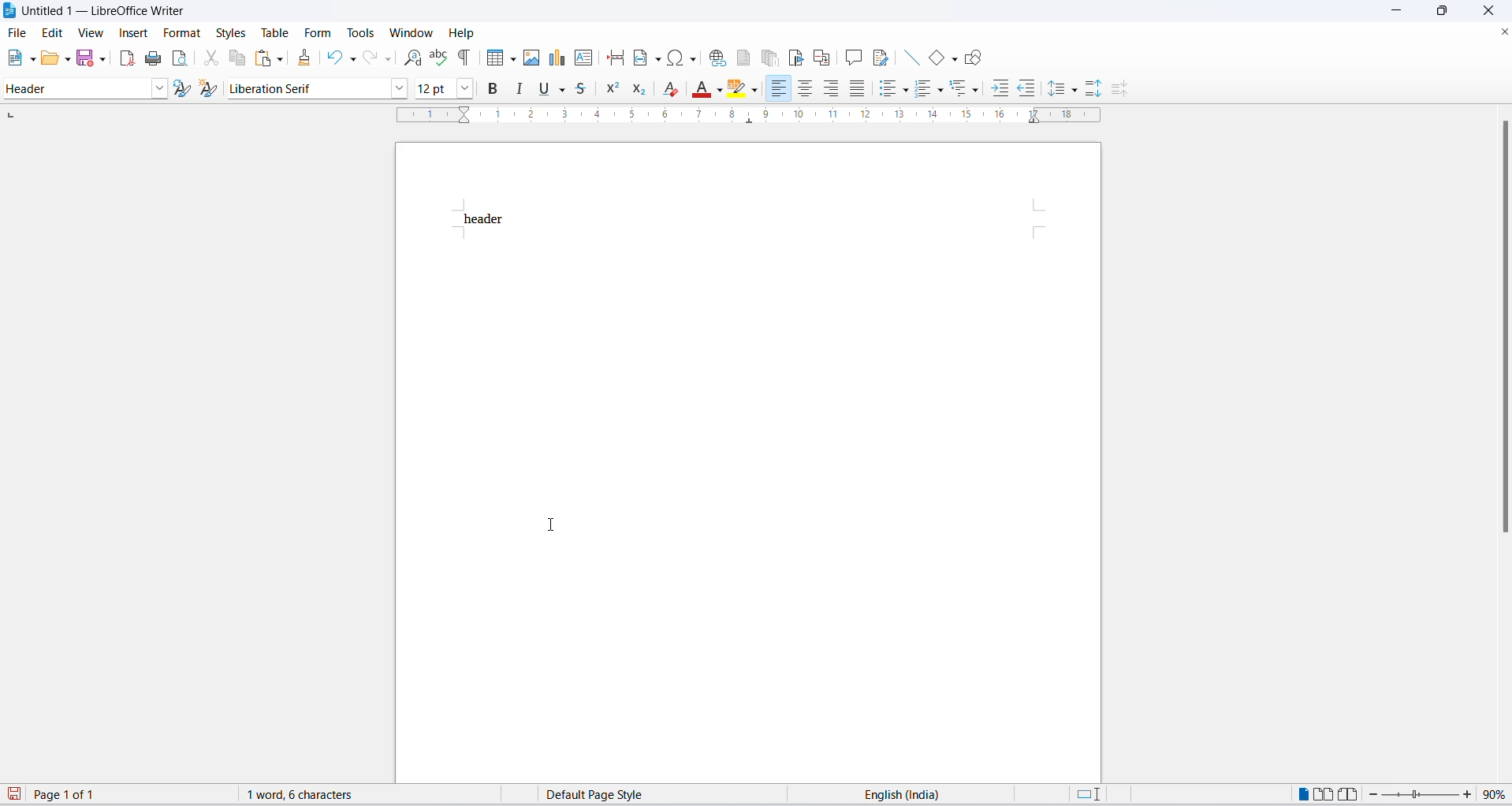 The height and width of the screenshot is (806, 1512). What do you see at coordinates (1000, 90) in the screenshot?
I see `increase indent` at bounding box center [1000, 90].